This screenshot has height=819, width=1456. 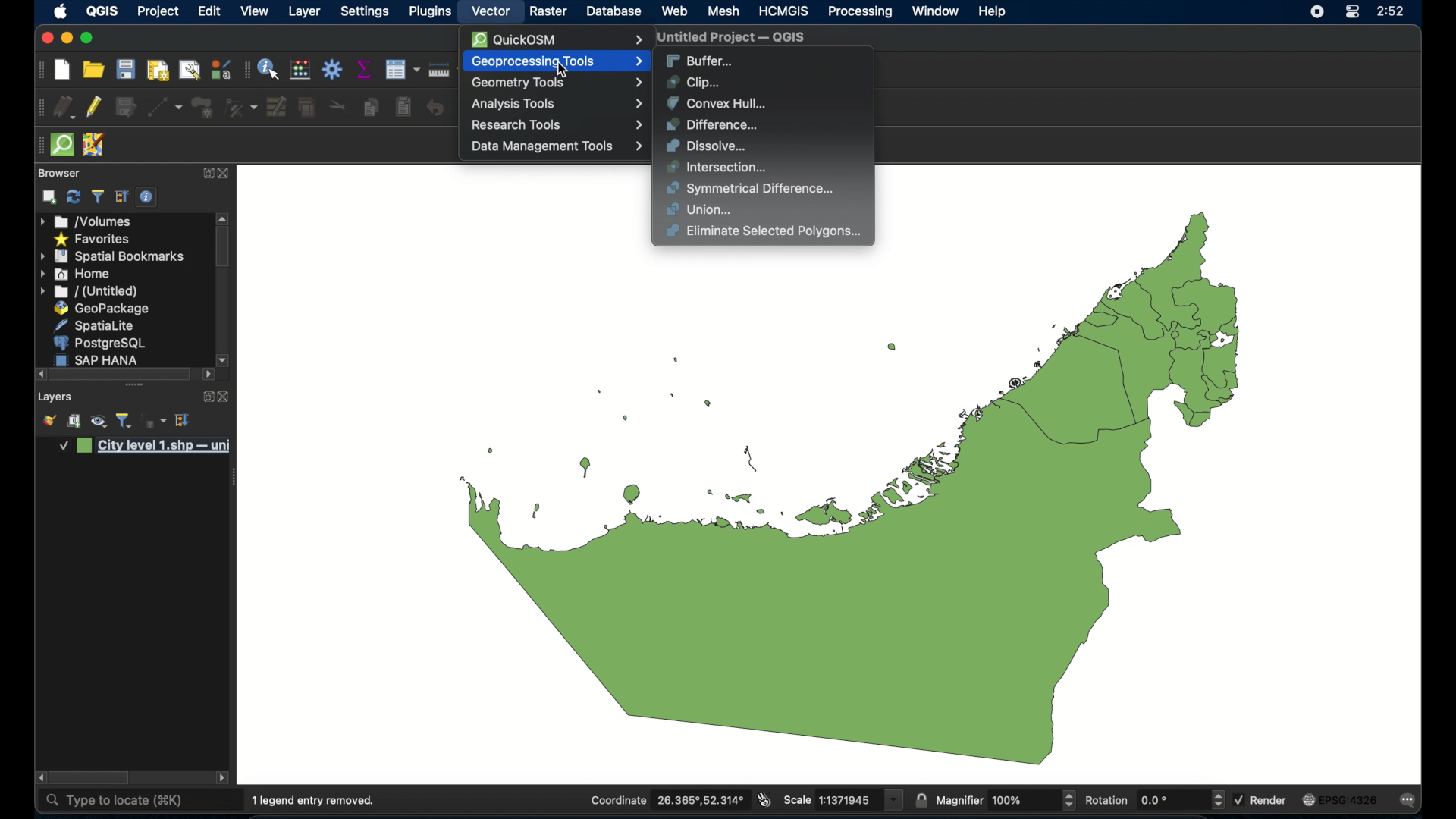 What do you see at coordinates (184, 420) in the screenshot?
I see `expand all` at bounding box center [184, 420].